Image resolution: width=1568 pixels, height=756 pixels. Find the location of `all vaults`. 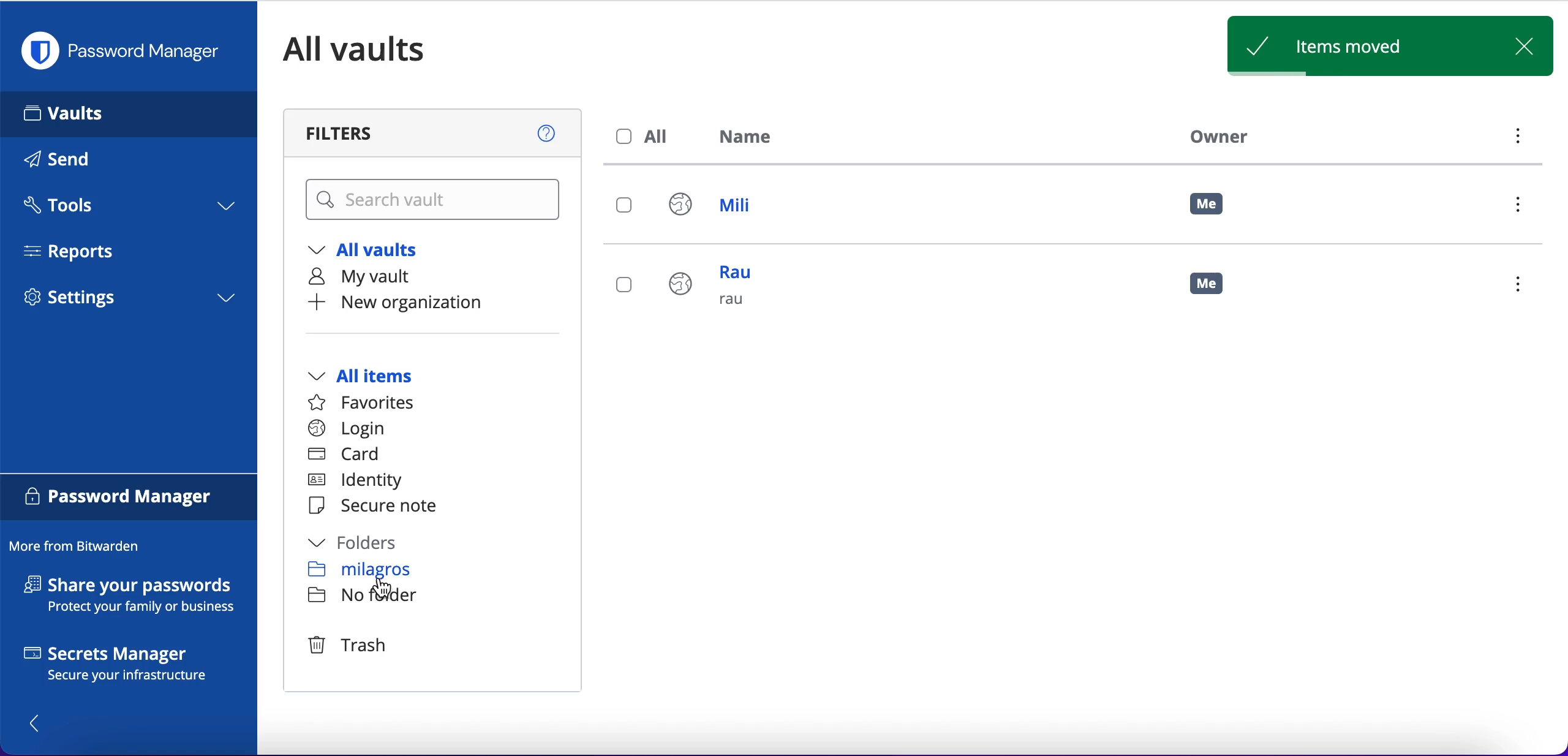

all vaults is located at coordinates (372, 252).